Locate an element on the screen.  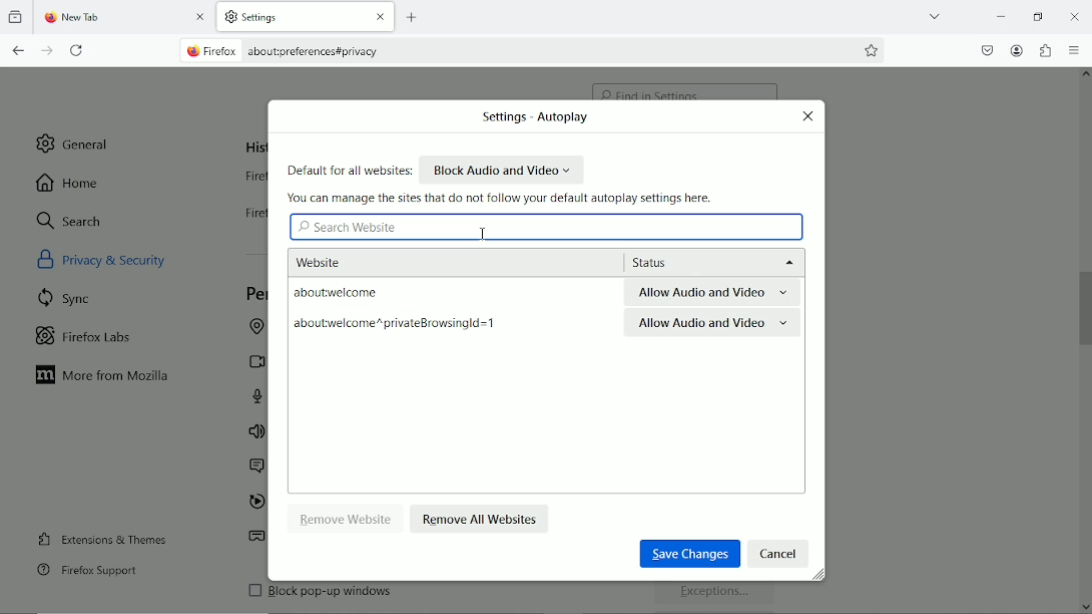
website is located at coordinates (346, 260).